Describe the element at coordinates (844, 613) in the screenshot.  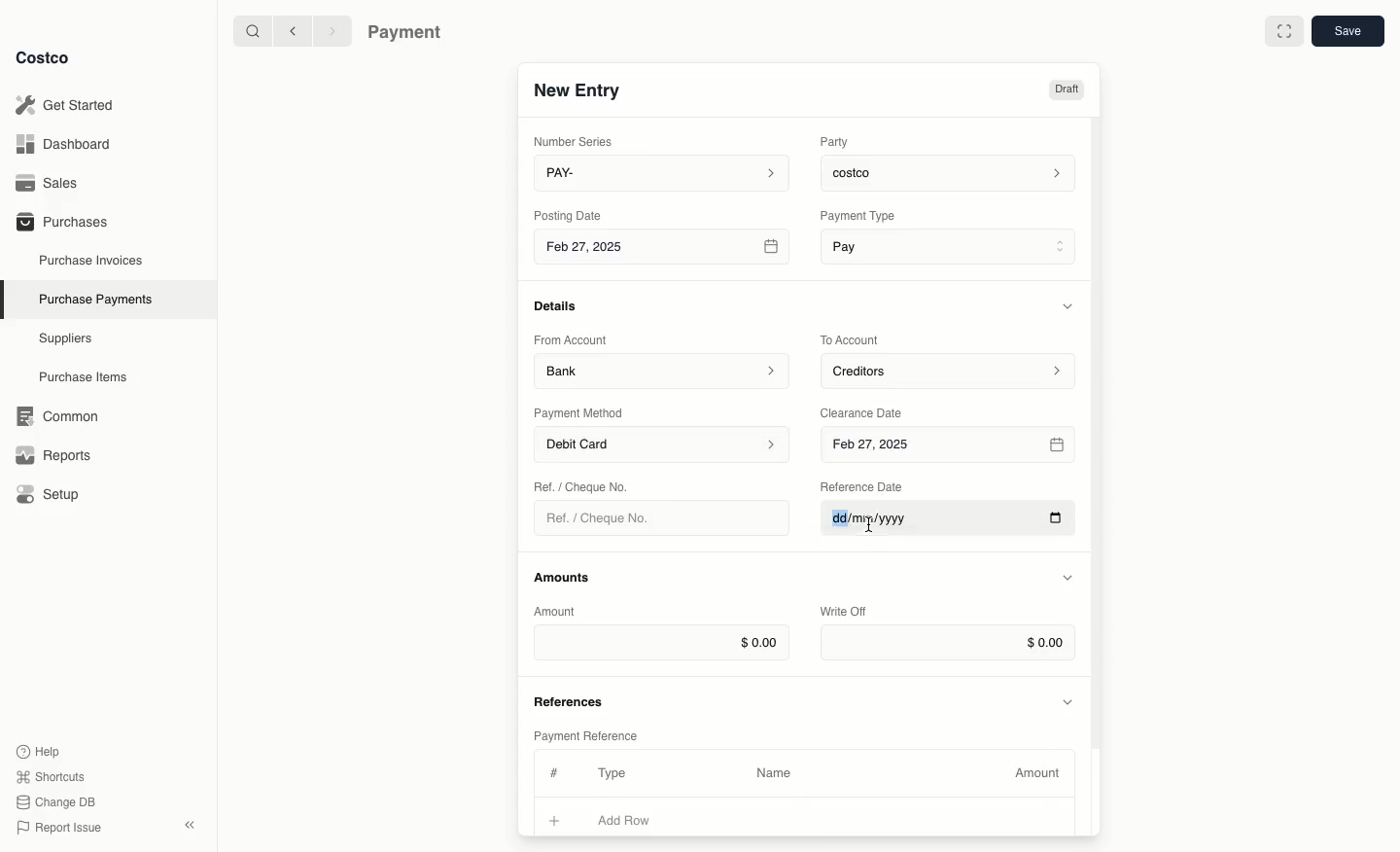
I see `Write Off` at that location.